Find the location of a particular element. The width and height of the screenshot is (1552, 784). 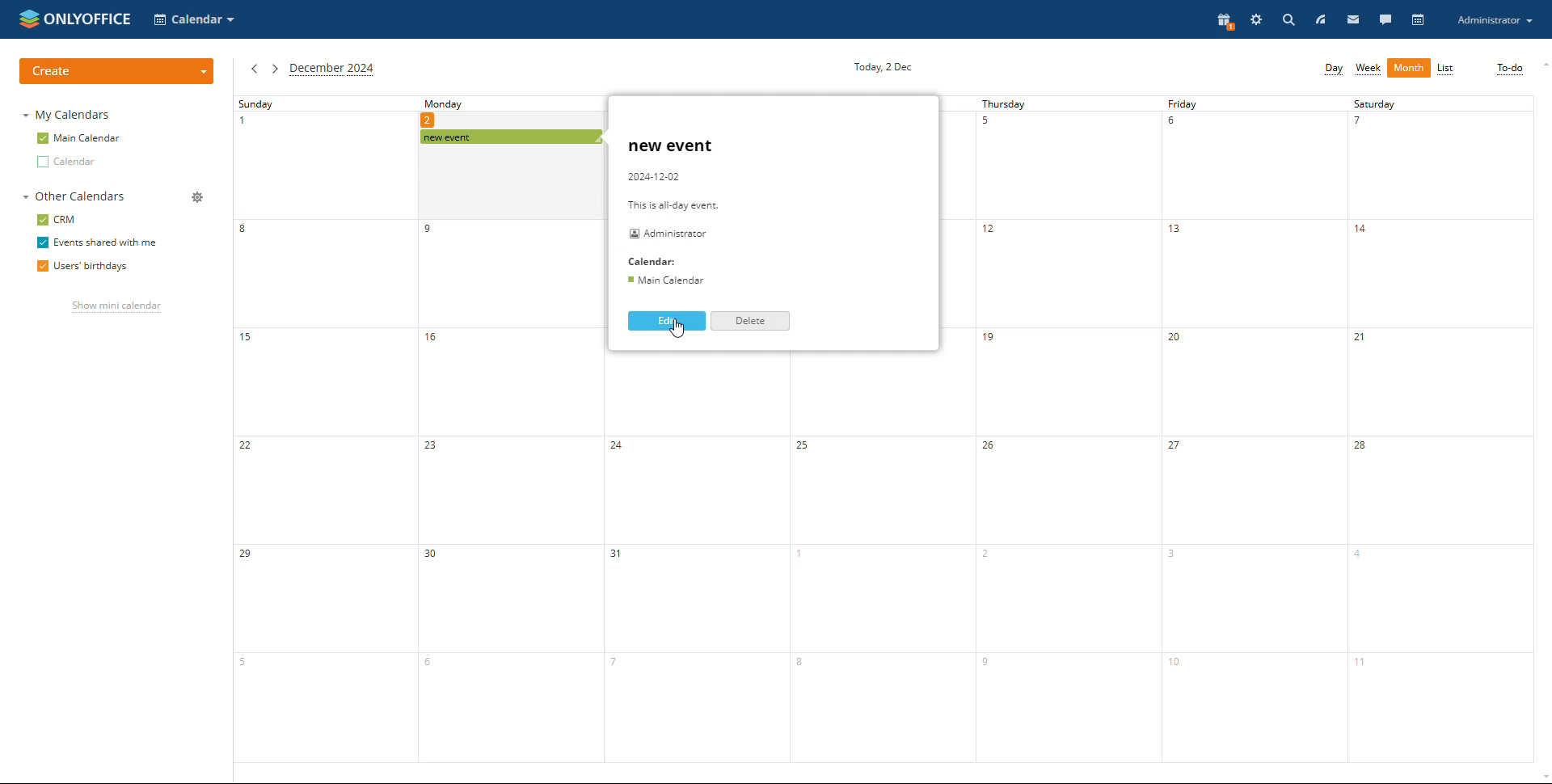

wednesday is located at coordinates (881, 561).